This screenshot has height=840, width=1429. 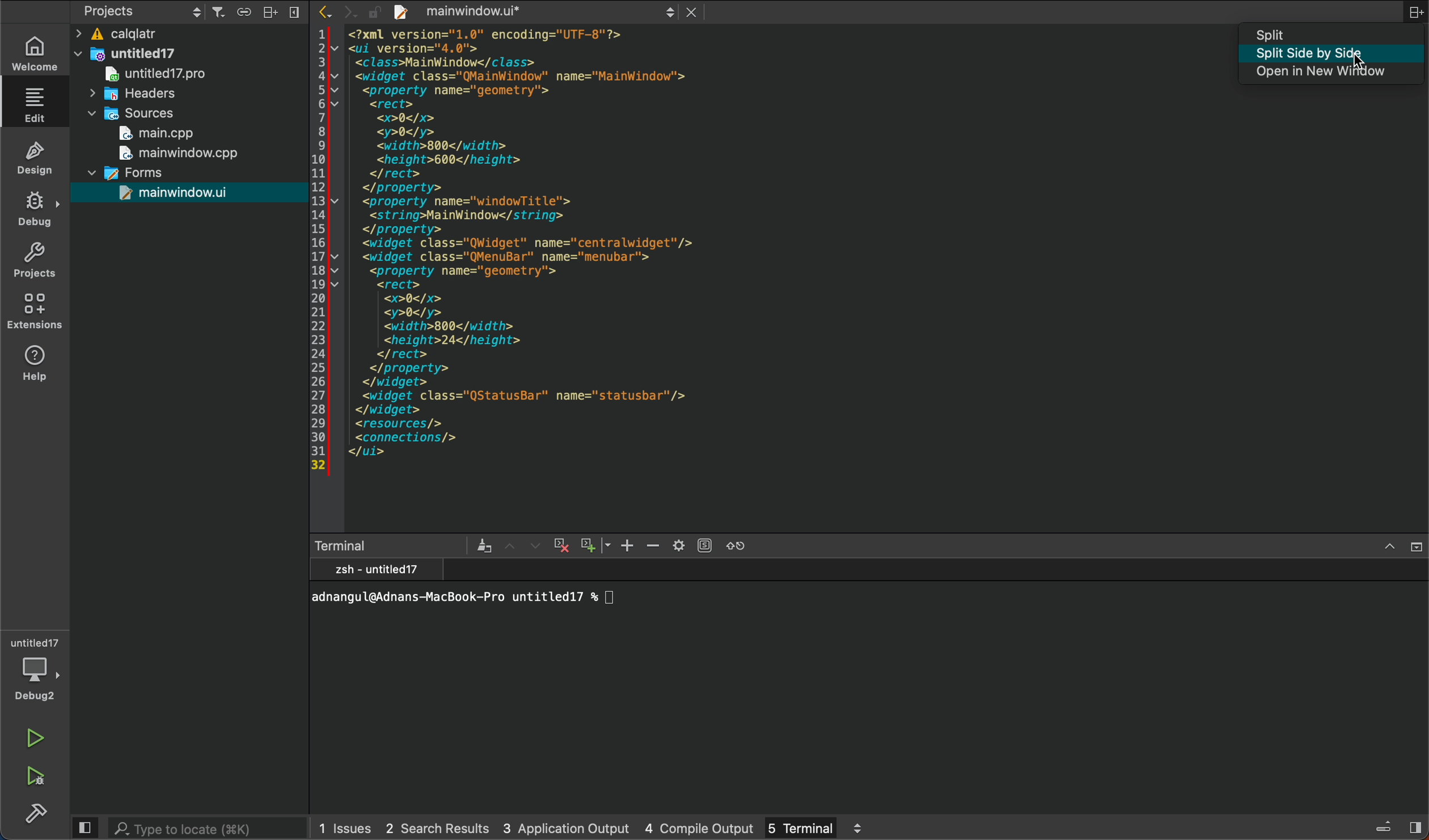 What do you see at coordinates (141, 12) in the screenshot?
I see `projects` at bounding box center [141, 12].